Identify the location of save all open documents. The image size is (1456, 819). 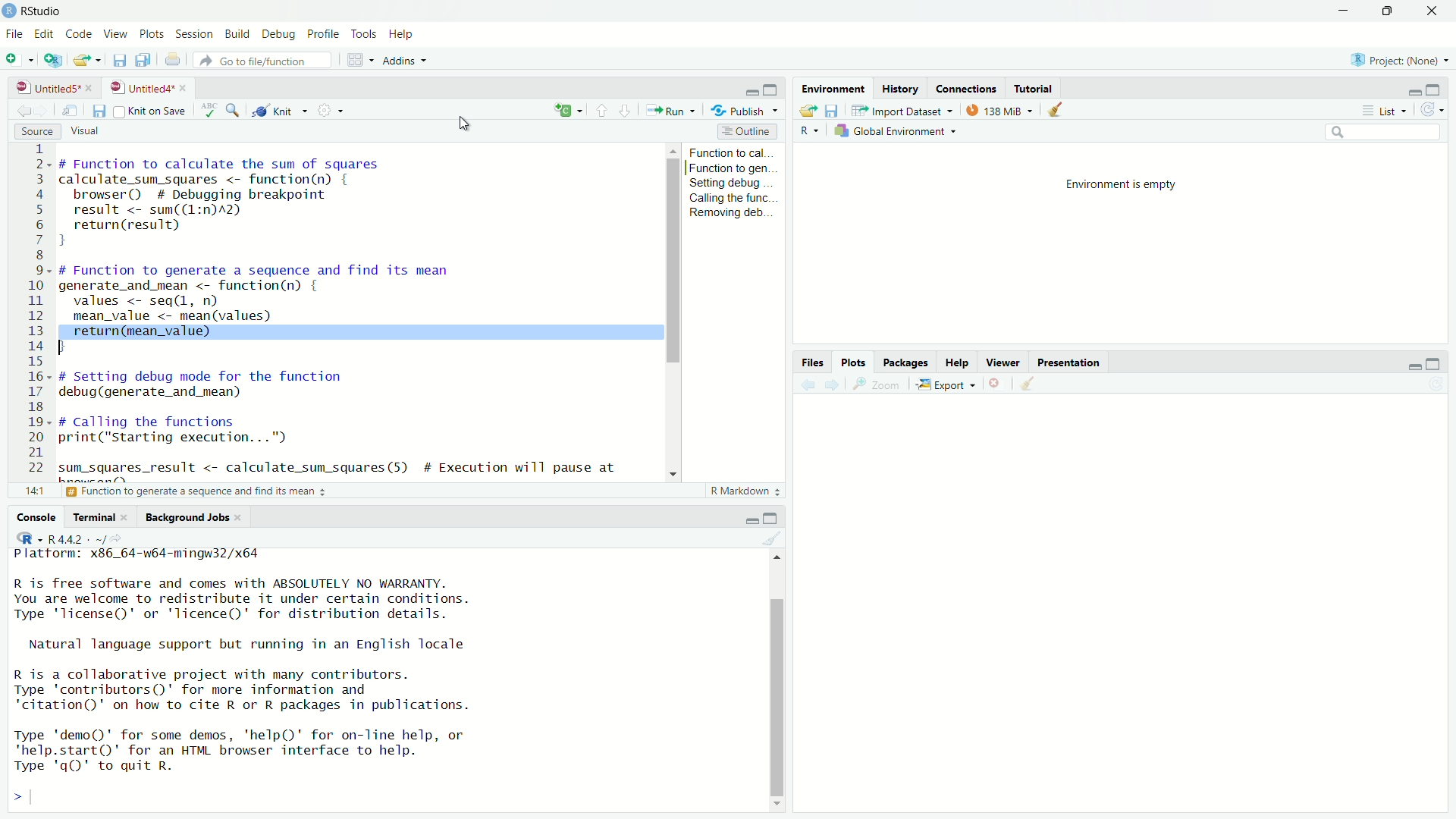
(145, 61).